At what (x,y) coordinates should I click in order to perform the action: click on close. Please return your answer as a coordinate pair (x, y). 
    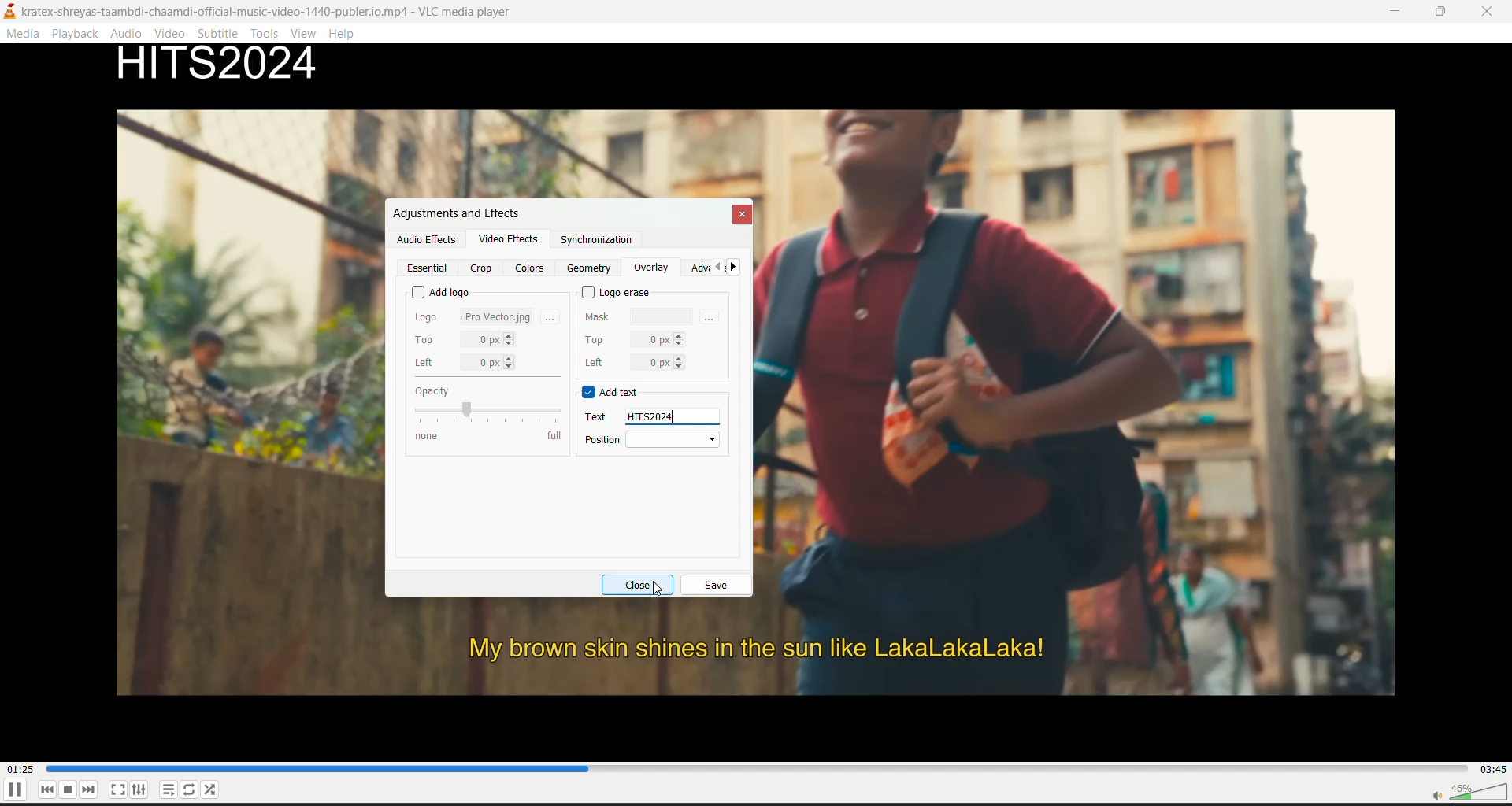
    Looking at the image, I should click on (1488, 13).